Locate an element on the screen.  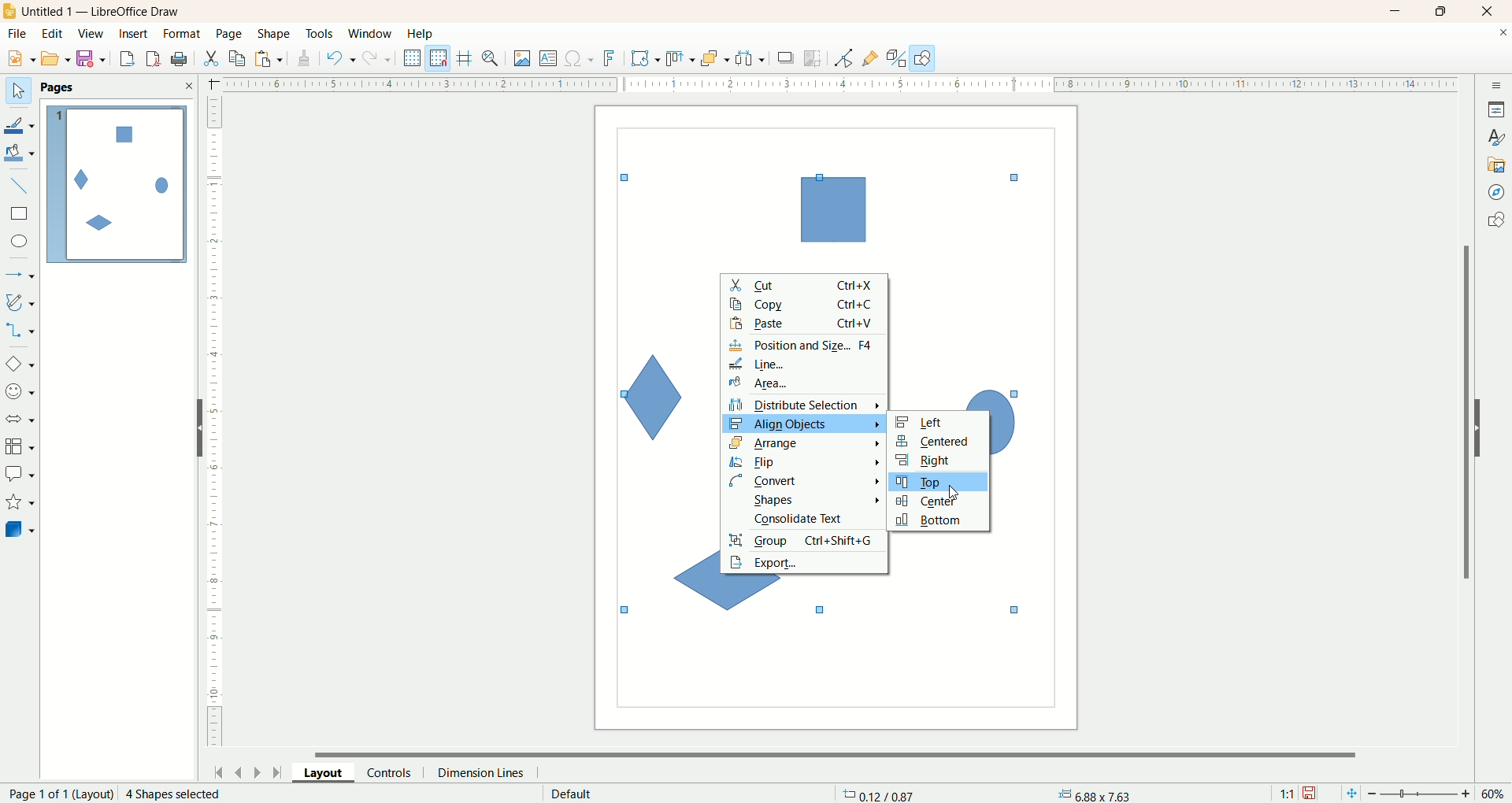
basic shape is located at coordinates (19, 363).